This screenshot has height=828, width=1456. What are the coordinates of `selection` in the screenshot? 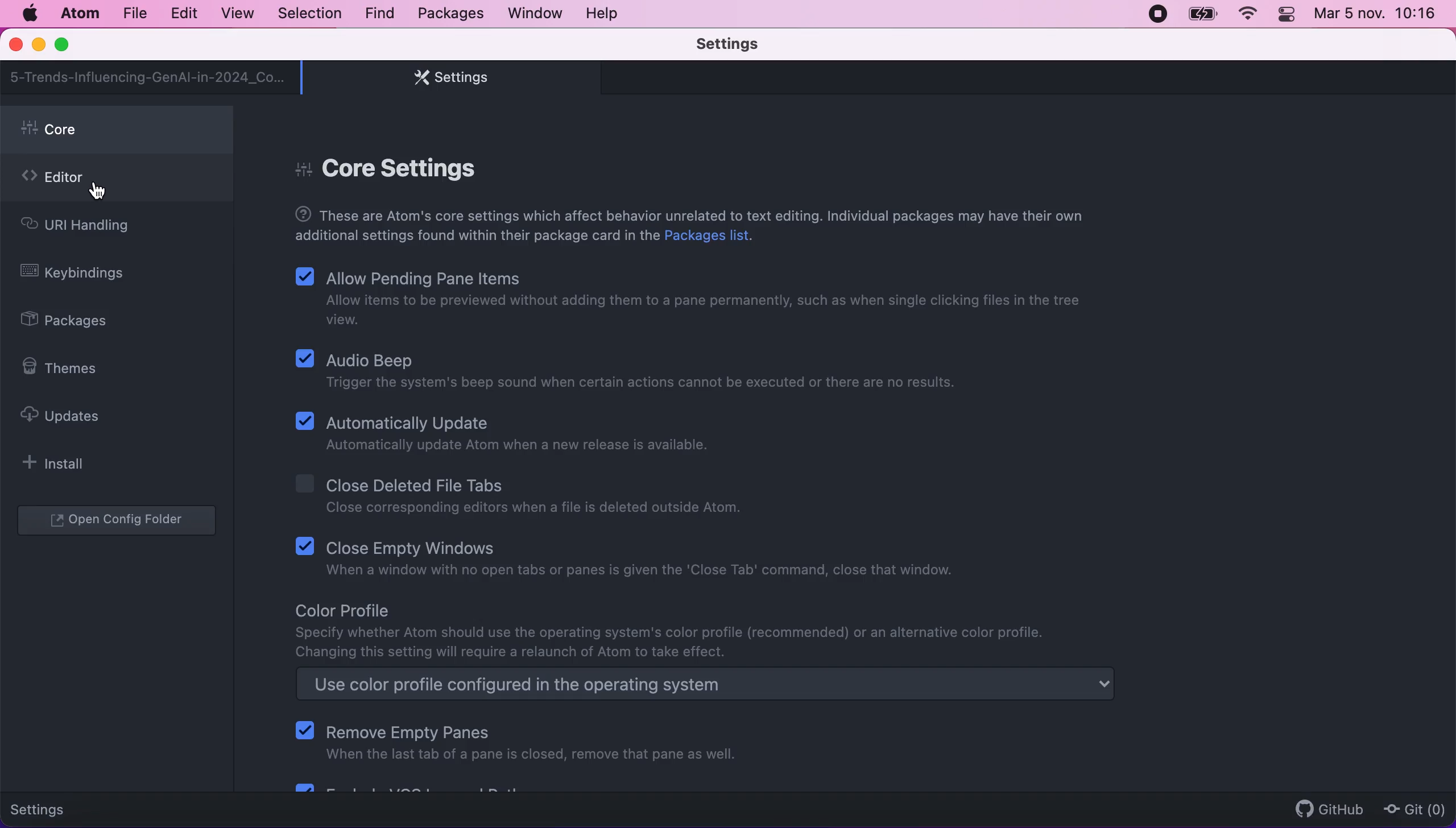 It's located at (311, 14).